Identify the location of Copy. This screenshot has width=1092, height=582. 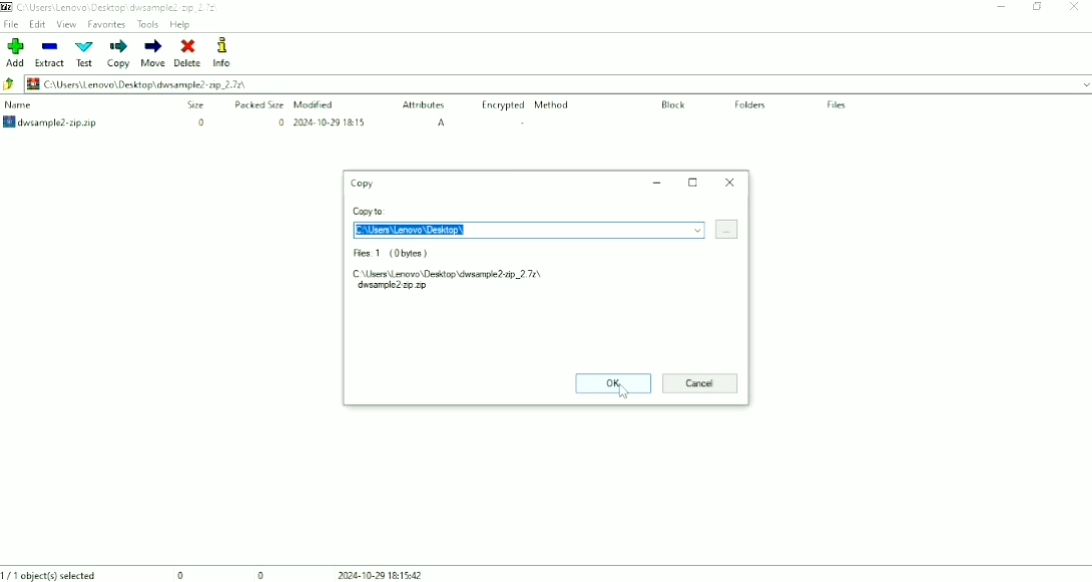
(119, 53).